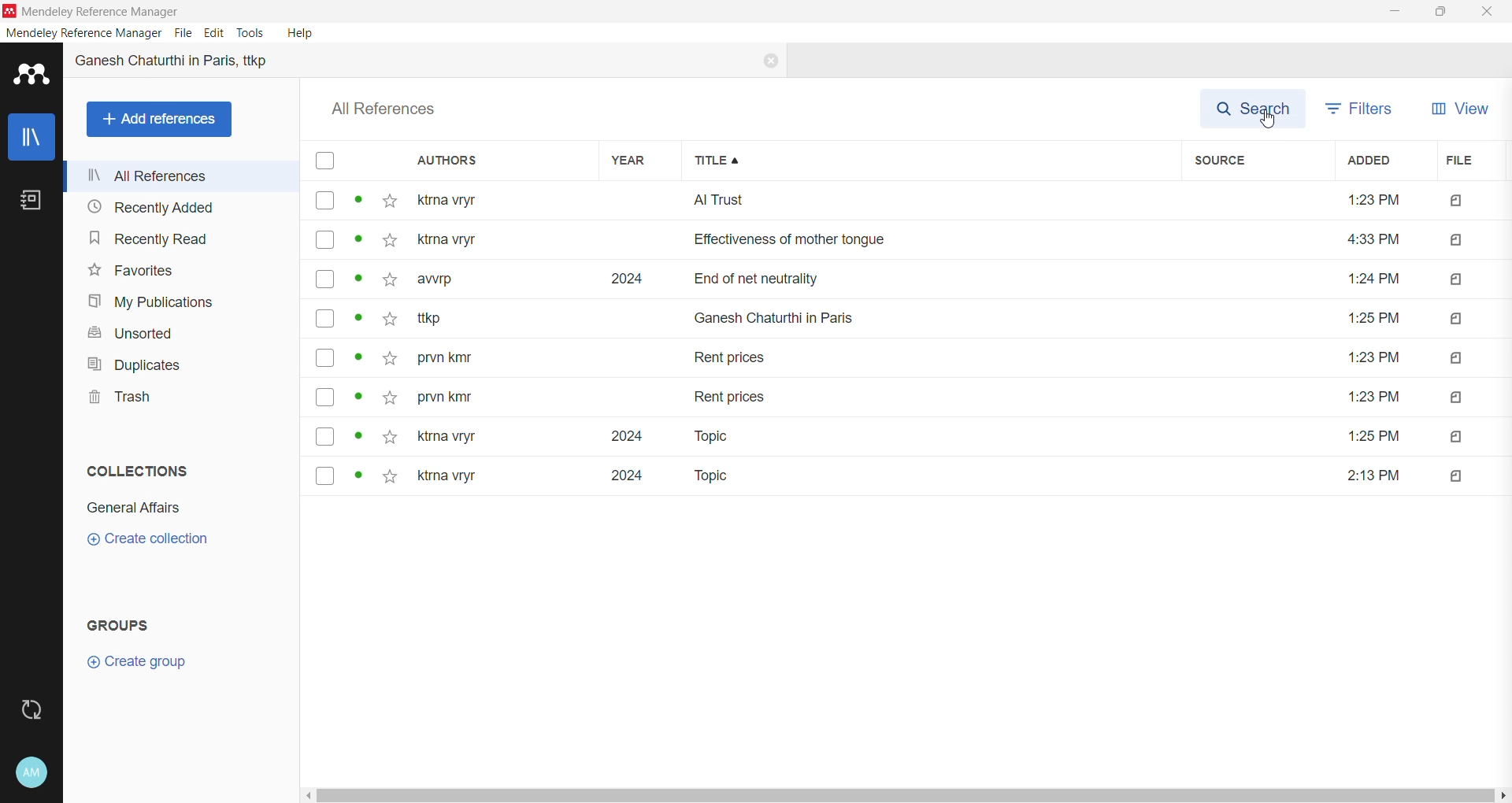 Image resolution: width=1512 pixels, height=803 pixels. Describe the element at coordinates (908, 477) in the screenshot. I see `¢  kirna vryr 2024 Topic 2:13PM` at that location.